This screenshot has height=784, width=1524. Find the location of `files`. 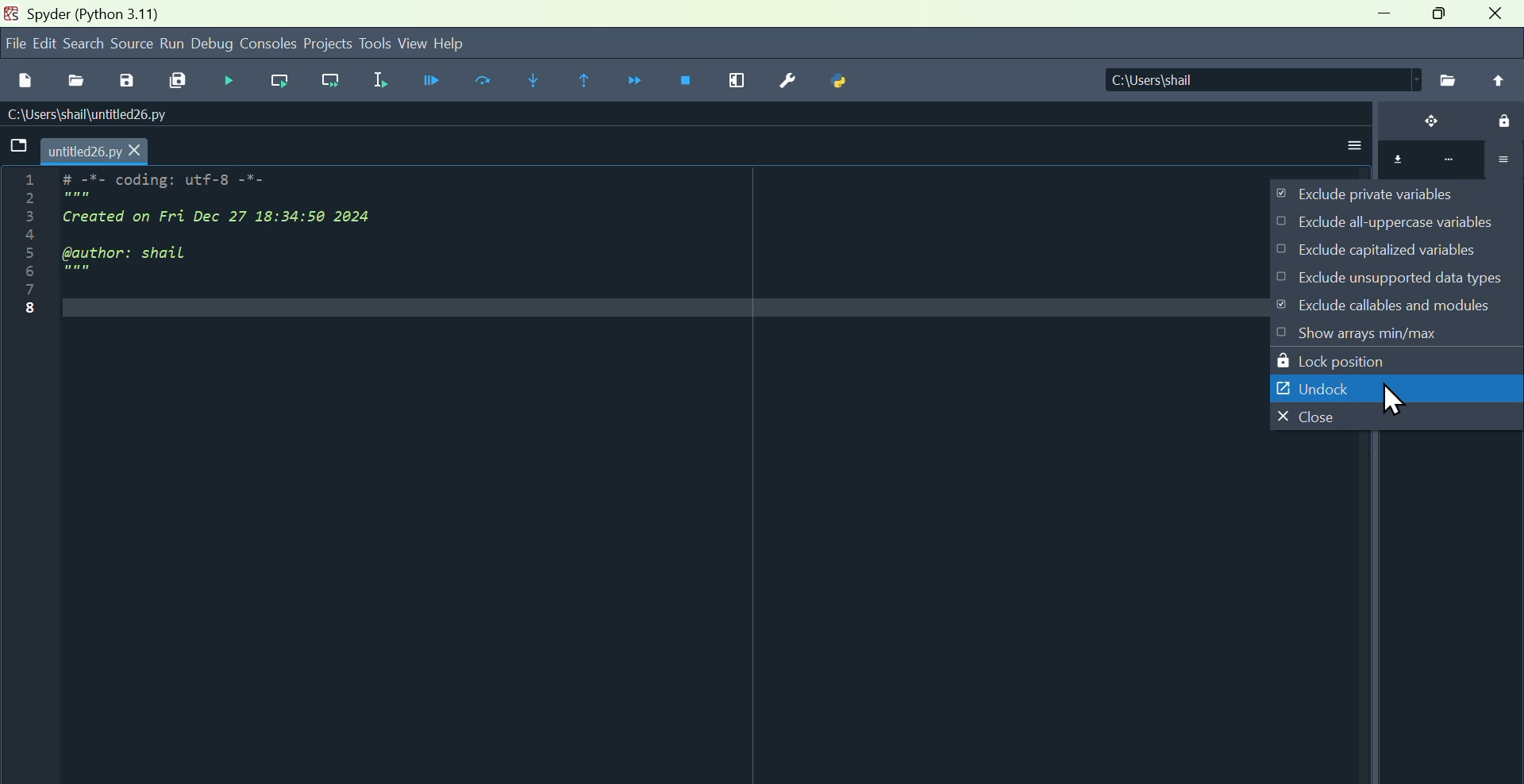

files is located at coordinates (1446, 79).